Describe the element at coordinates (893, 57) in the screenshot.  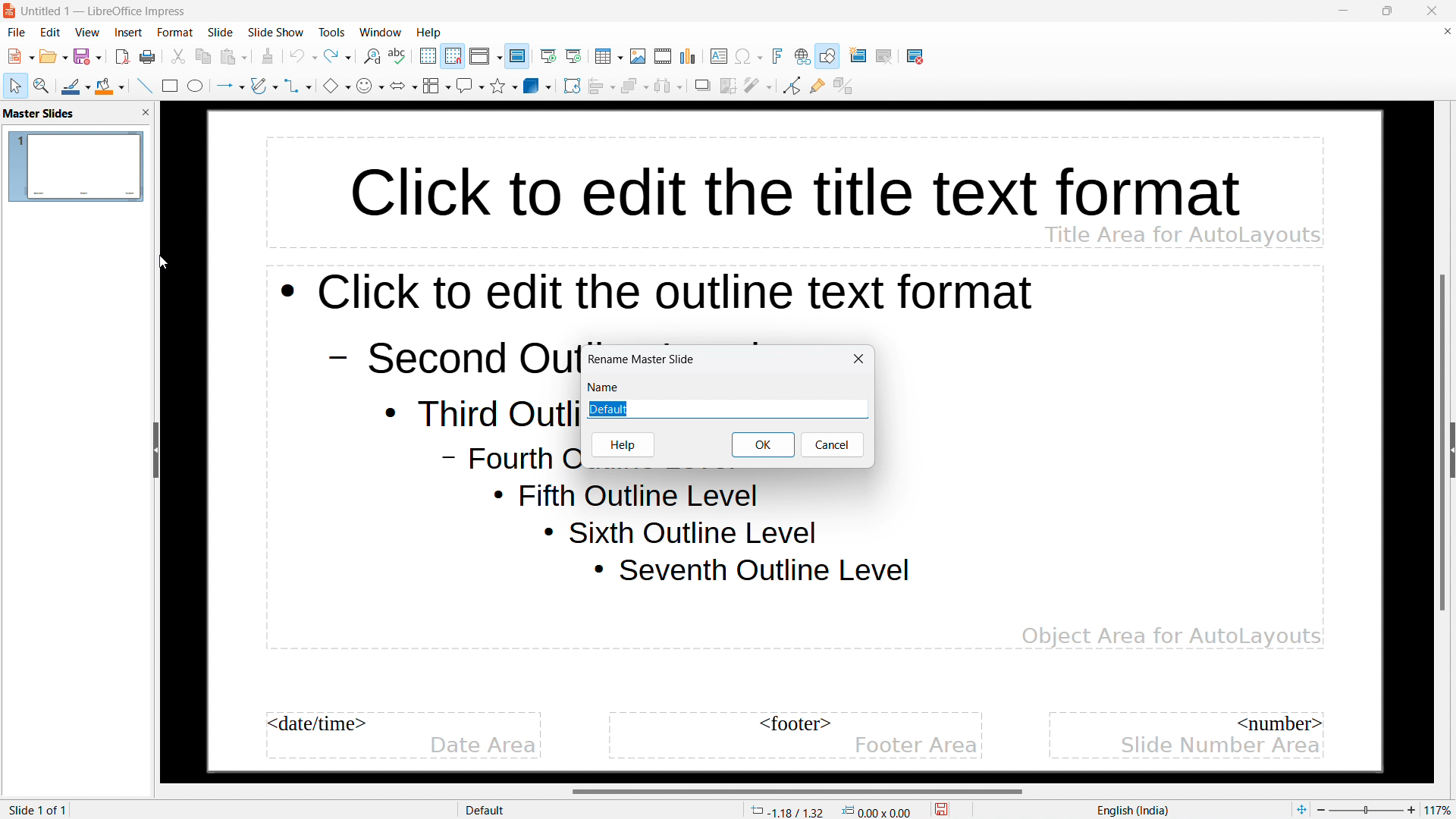
I see `duplicate slide` at that location.